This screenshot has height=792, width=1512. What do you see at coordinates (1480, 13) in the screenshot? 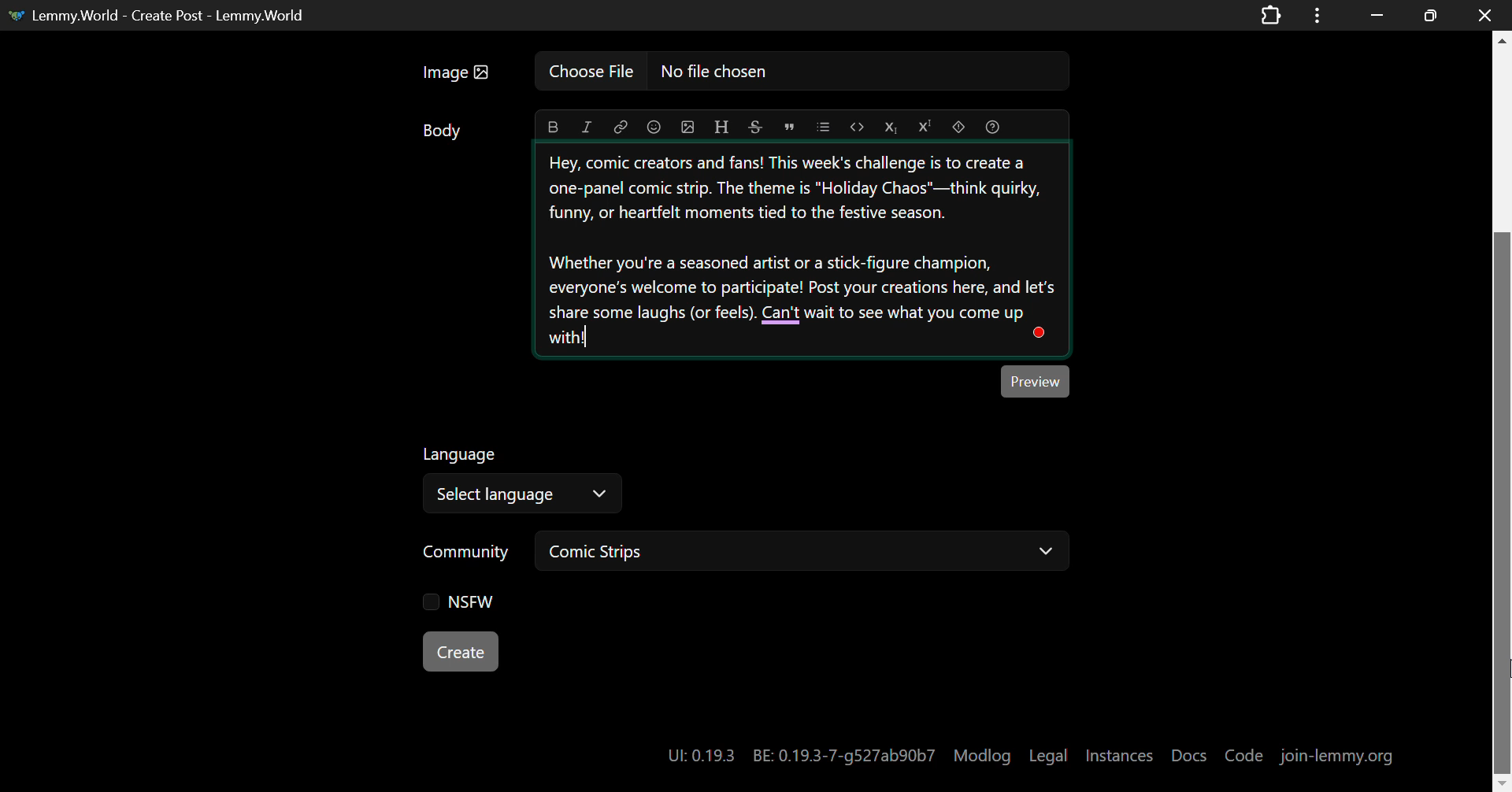
I see `Close Window` at bounding box center [1480, 13].